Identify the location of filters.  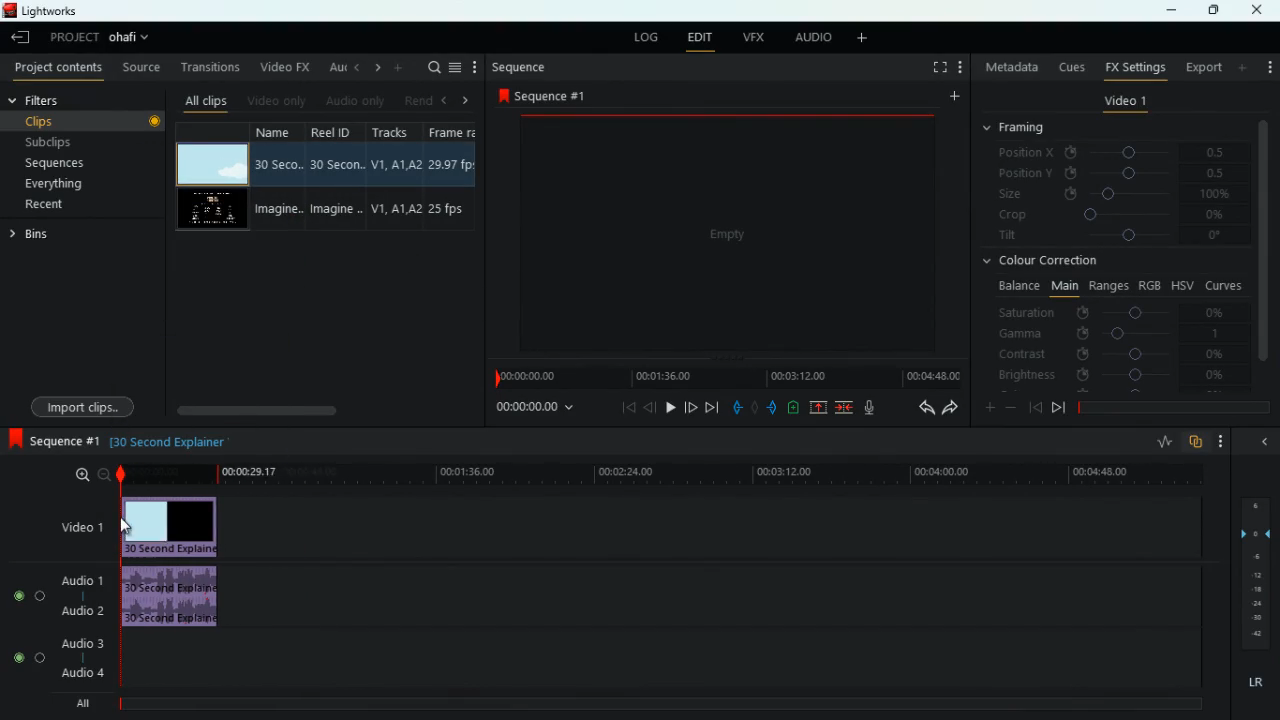
(66, 99).